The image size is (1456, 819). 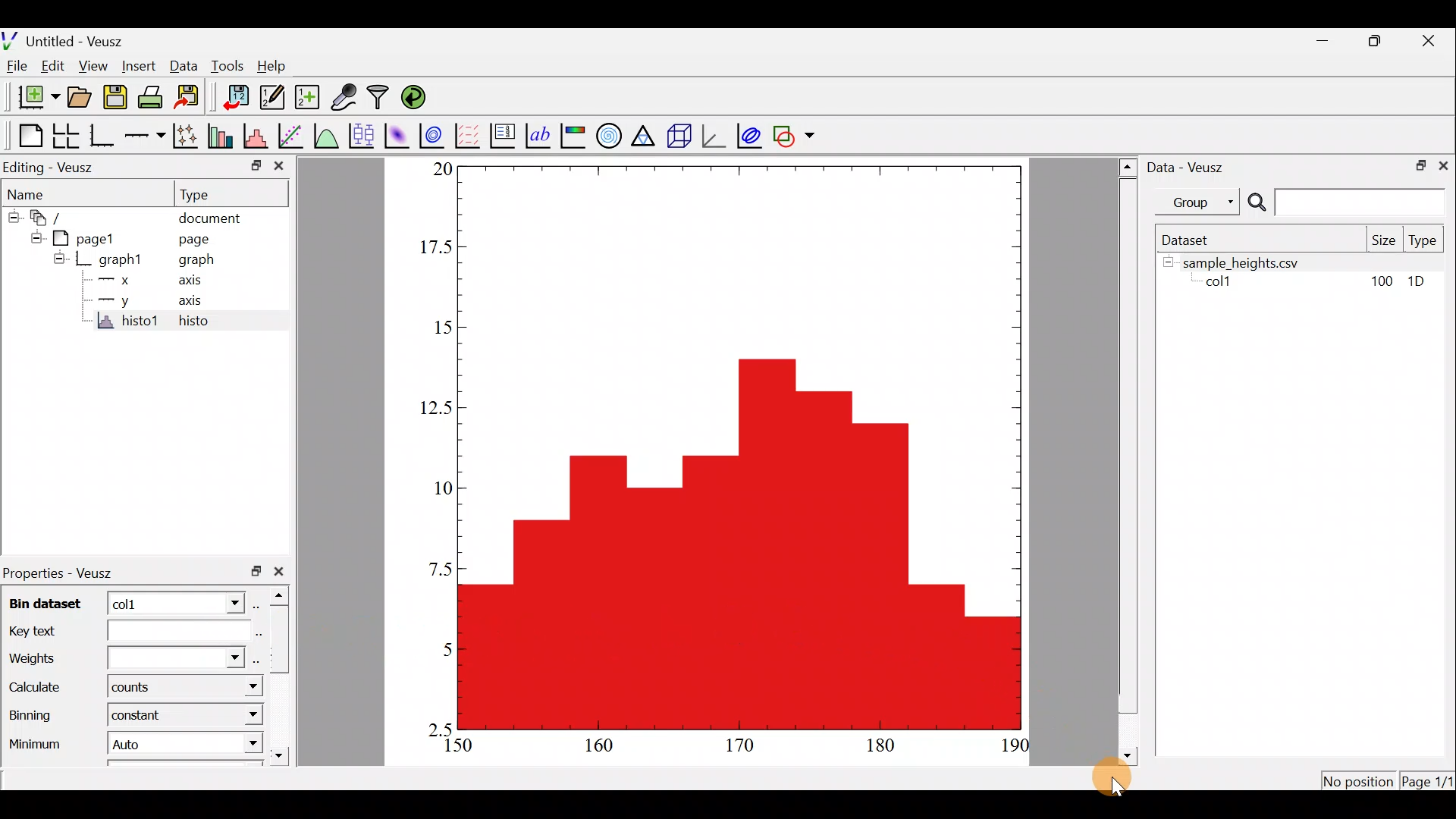 What do you see at coordinates (361, 135) in the screenshot?
I see `plot box plots` at bounding box center [361, 135].